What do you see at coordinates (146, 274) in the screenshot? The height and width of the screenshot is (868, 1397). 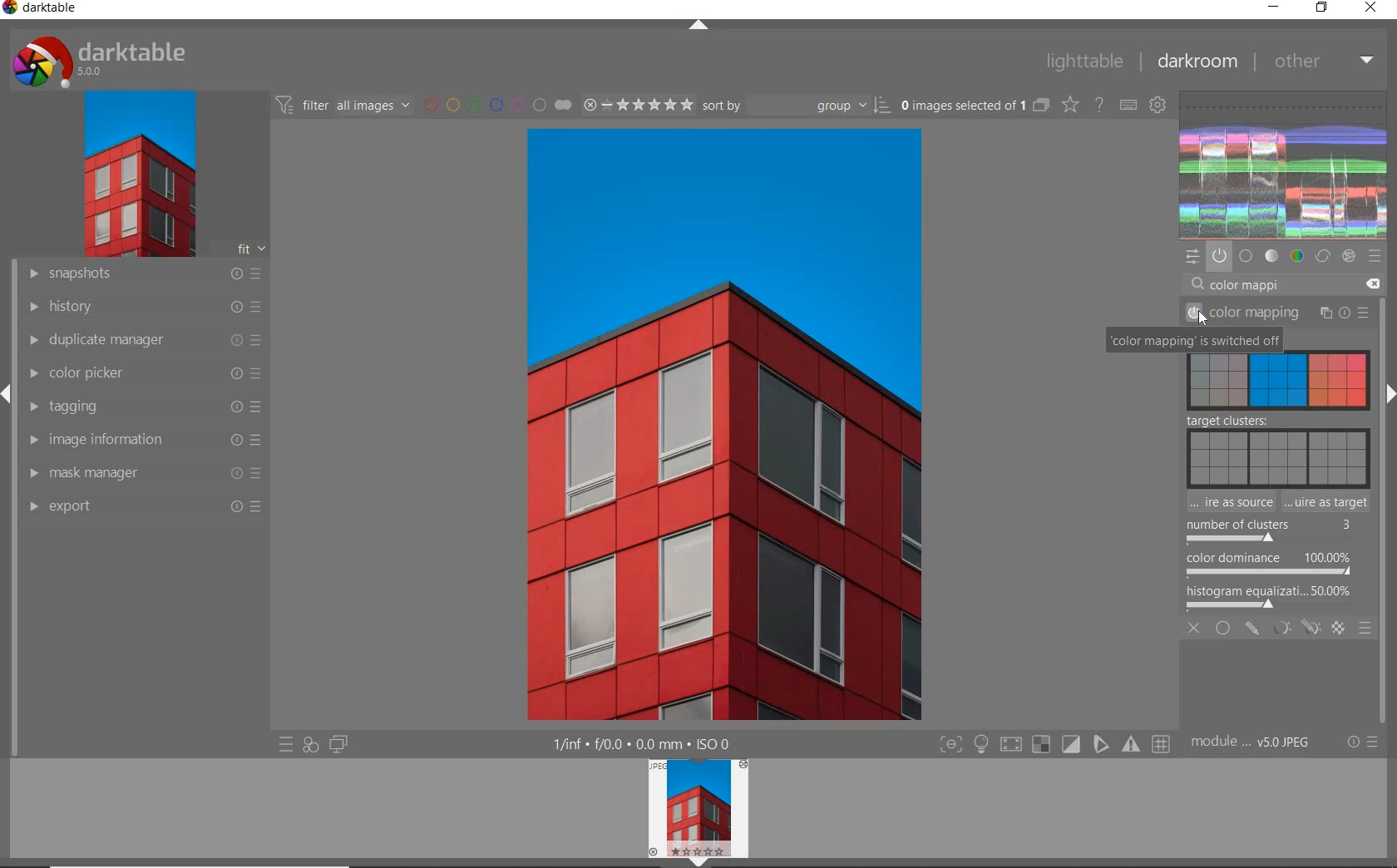 I see `snapshot` at bounding box center [146, 274].